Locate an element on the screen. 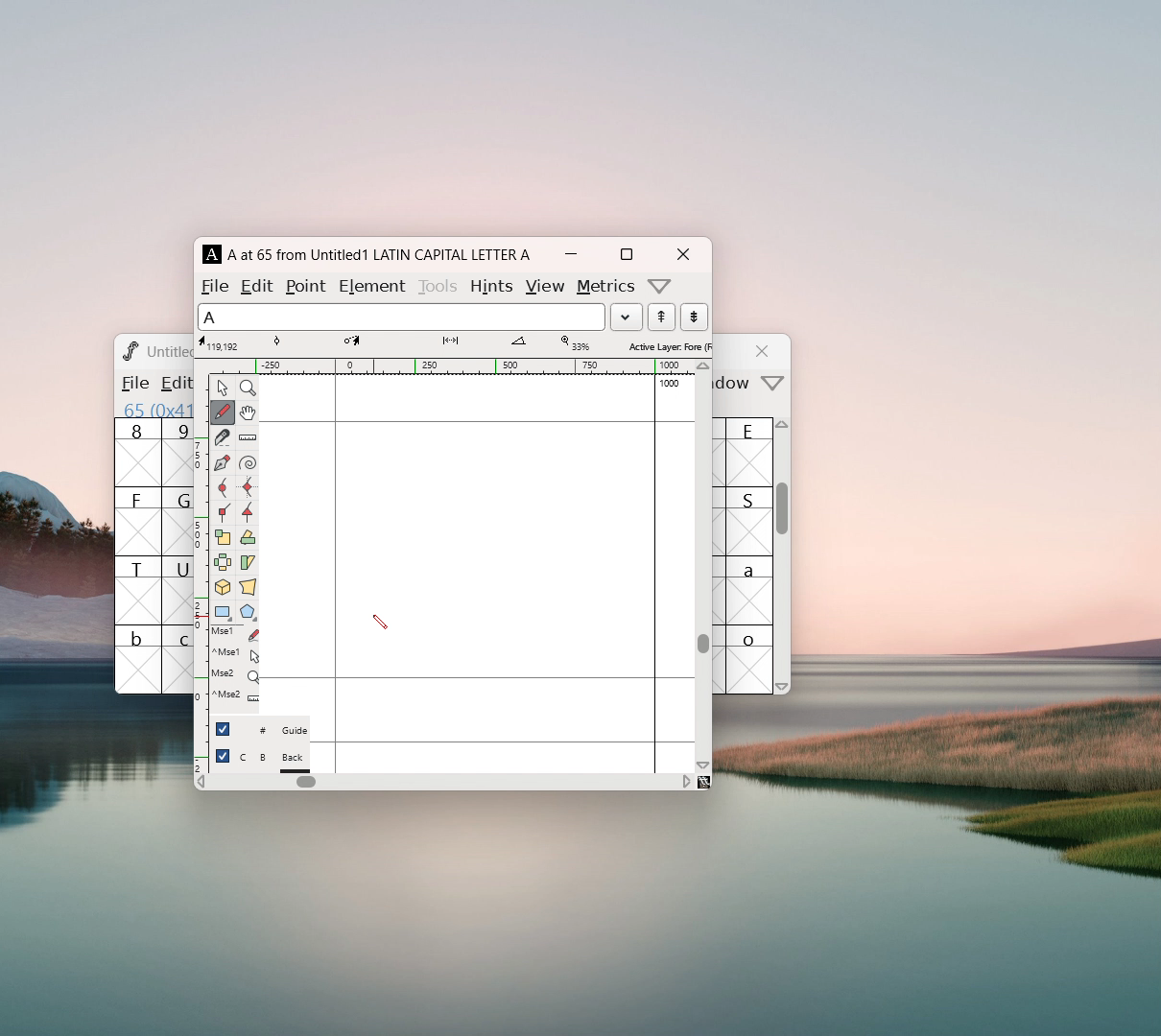 This screenshot has height=1036, width=1161. perspective transformation is located at coordinates (248, 589).